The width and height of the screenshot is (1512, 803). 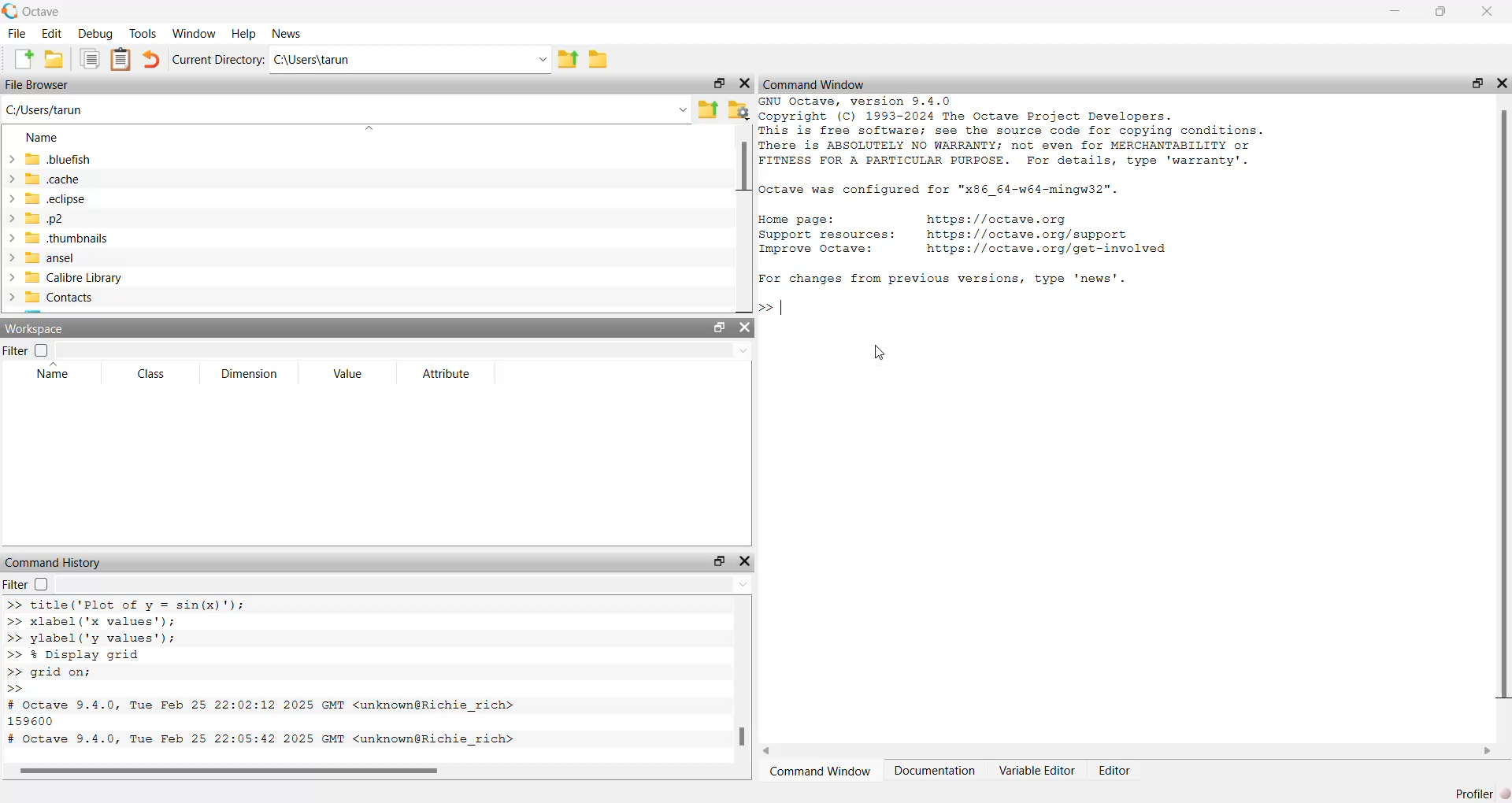 What do you see at coordinates (266, 739) in the screenshot?
I see `# Octave 9.4.0, Tue Feb 25 22:05:42 2025 GMT <unknown@Richie rich>` at bounding box center [266, 739].